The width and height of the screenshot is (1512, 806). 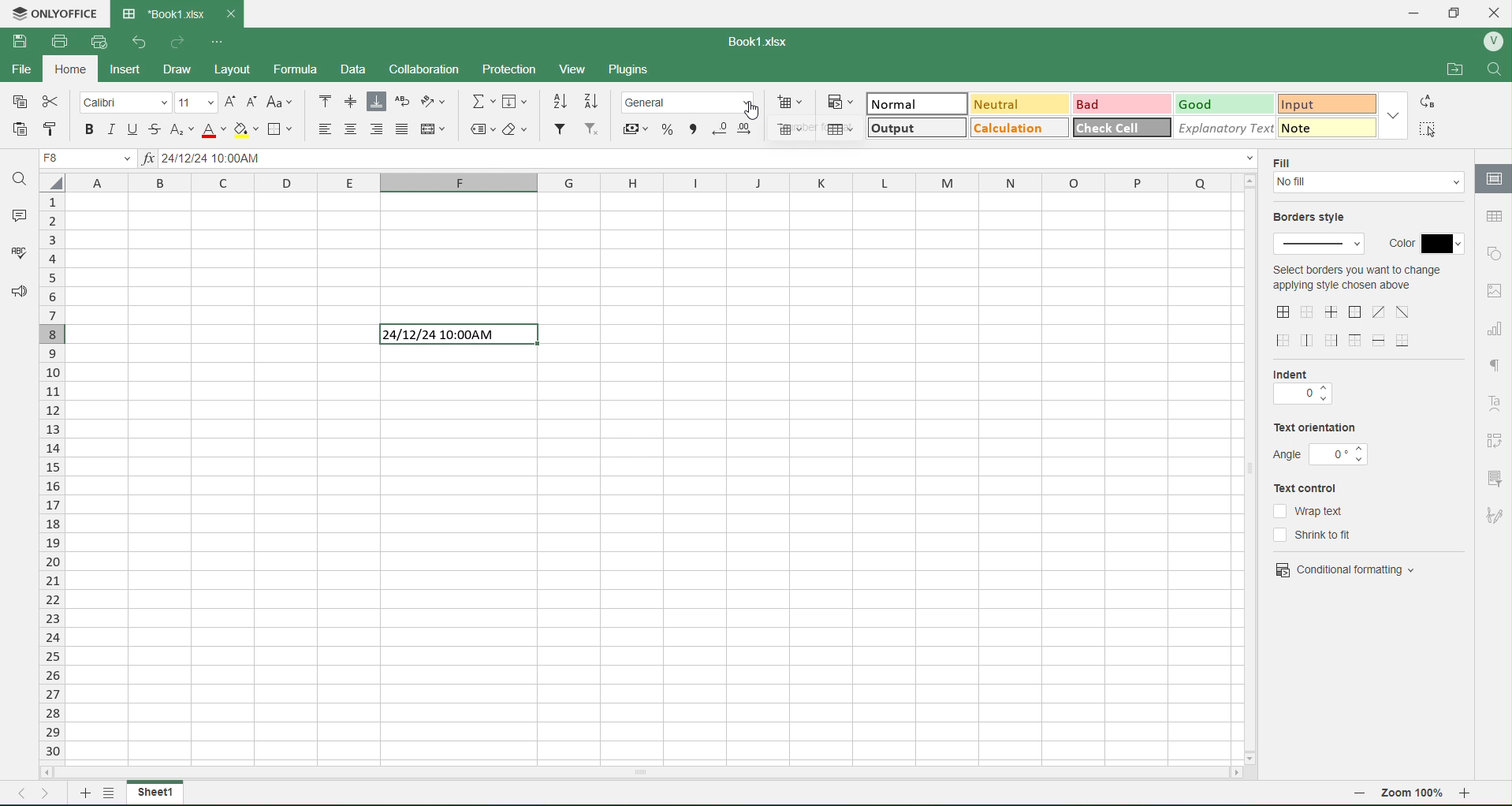 What do you see at coordinates (650, 185) in the screenshot?
I see `Columns` at bounding box center [650, 185].